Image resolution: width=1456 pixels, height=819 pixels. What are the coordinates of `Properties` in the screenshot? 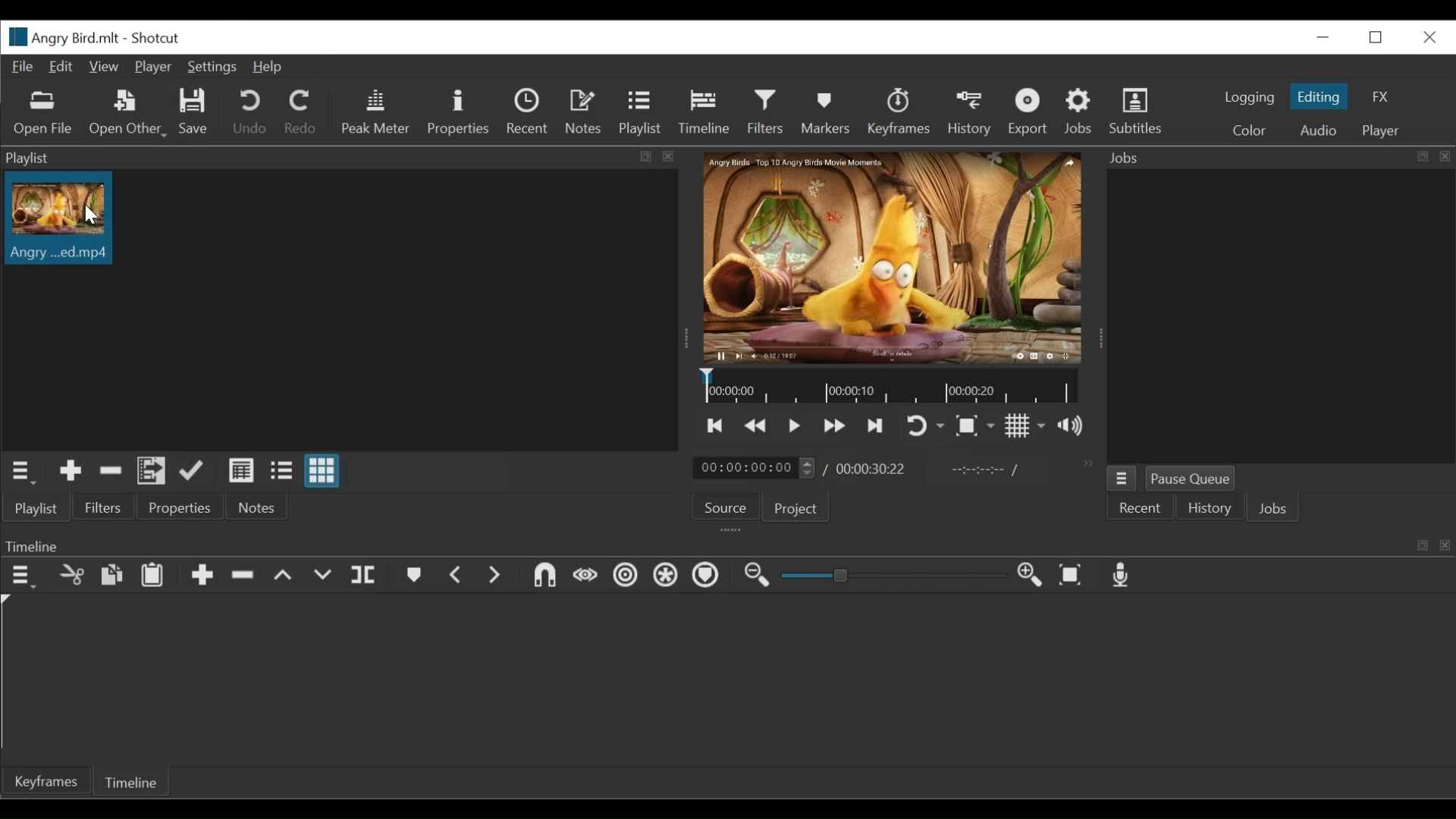 It's located at (463, 114).